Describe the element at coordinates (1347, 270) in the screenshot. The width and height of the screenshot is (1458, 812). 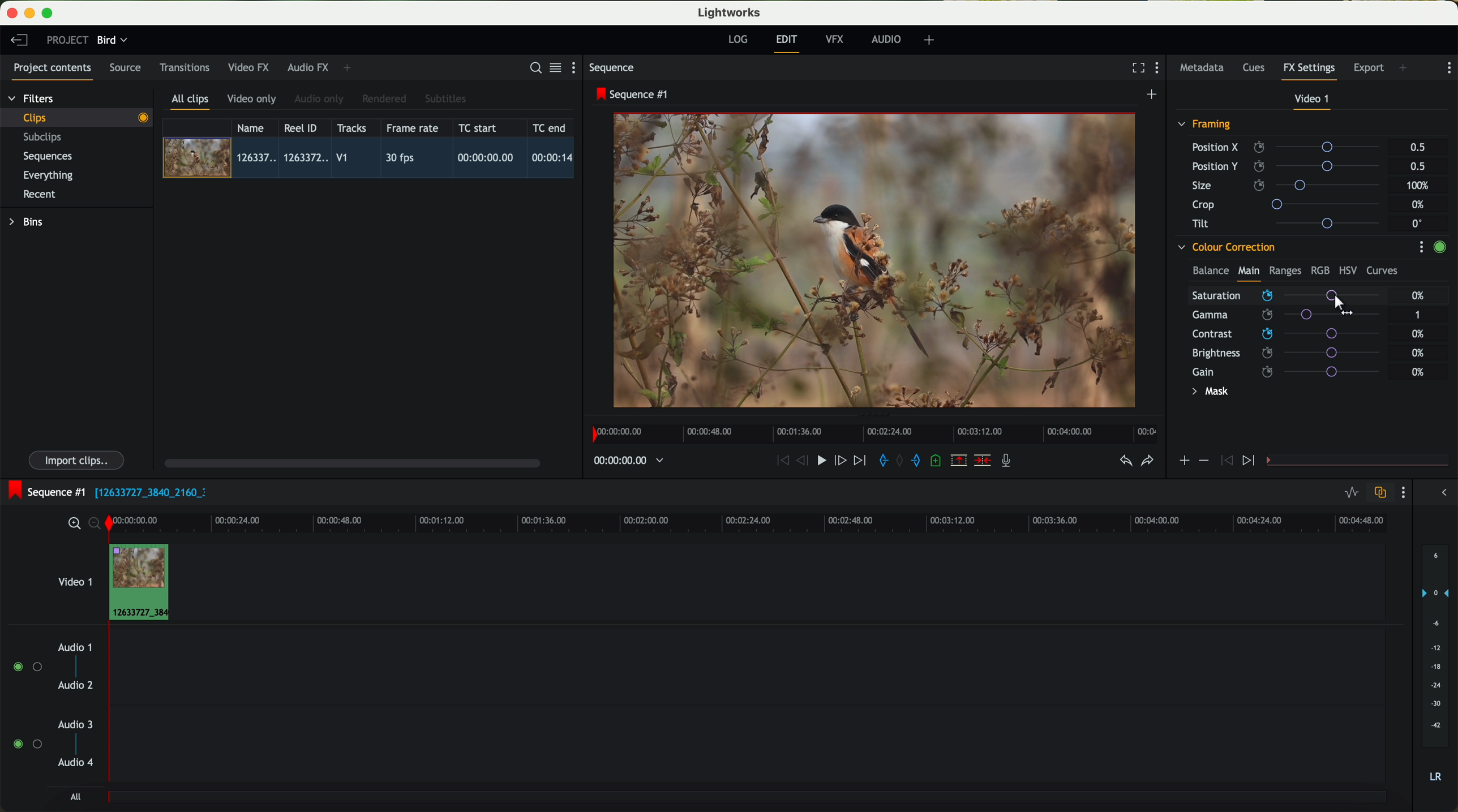
I see `HSV` at that location.